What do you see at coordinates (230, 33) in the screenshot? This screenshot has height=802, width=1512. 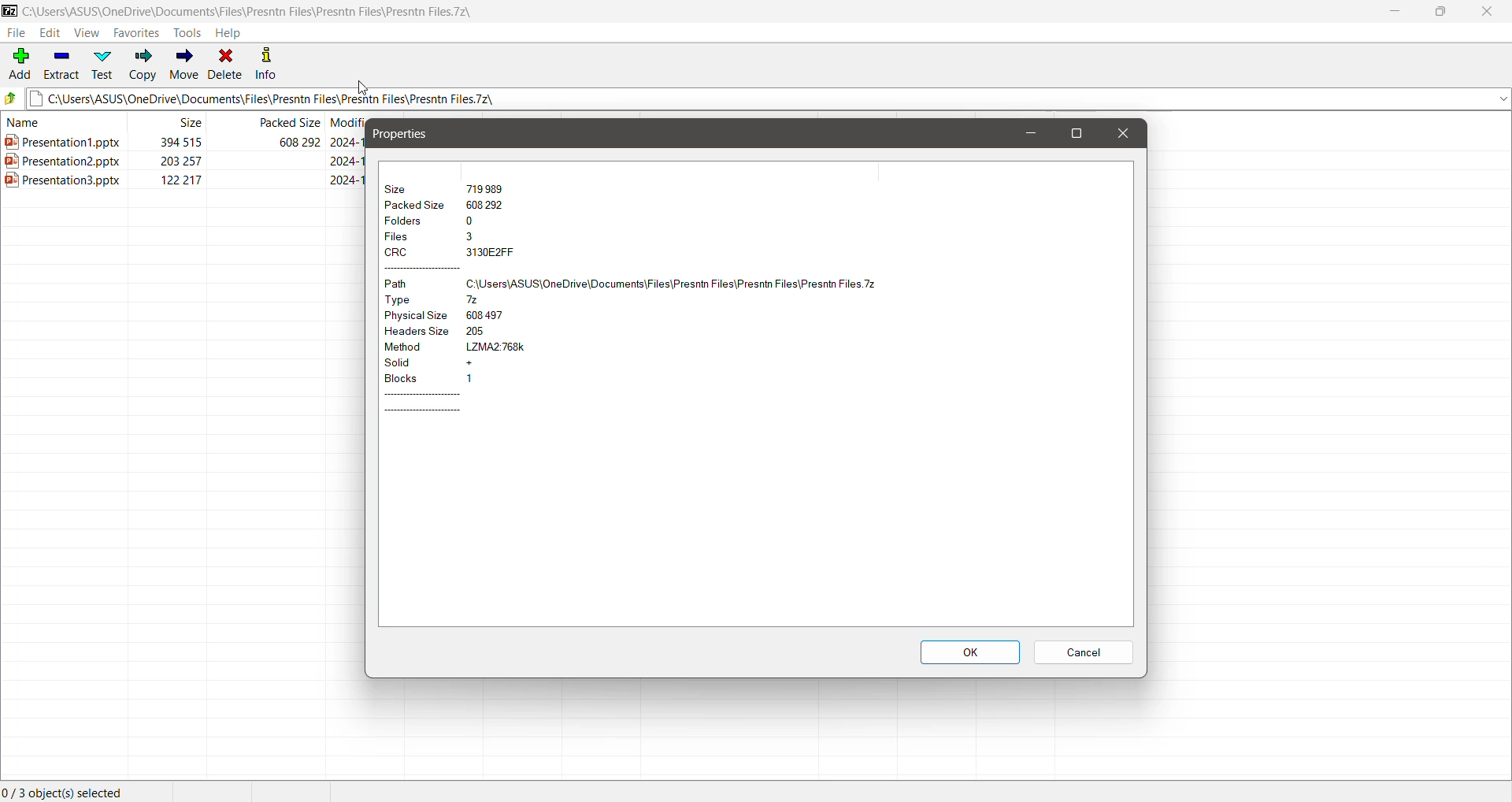 I see `Help` at bounding box center [230, 33].